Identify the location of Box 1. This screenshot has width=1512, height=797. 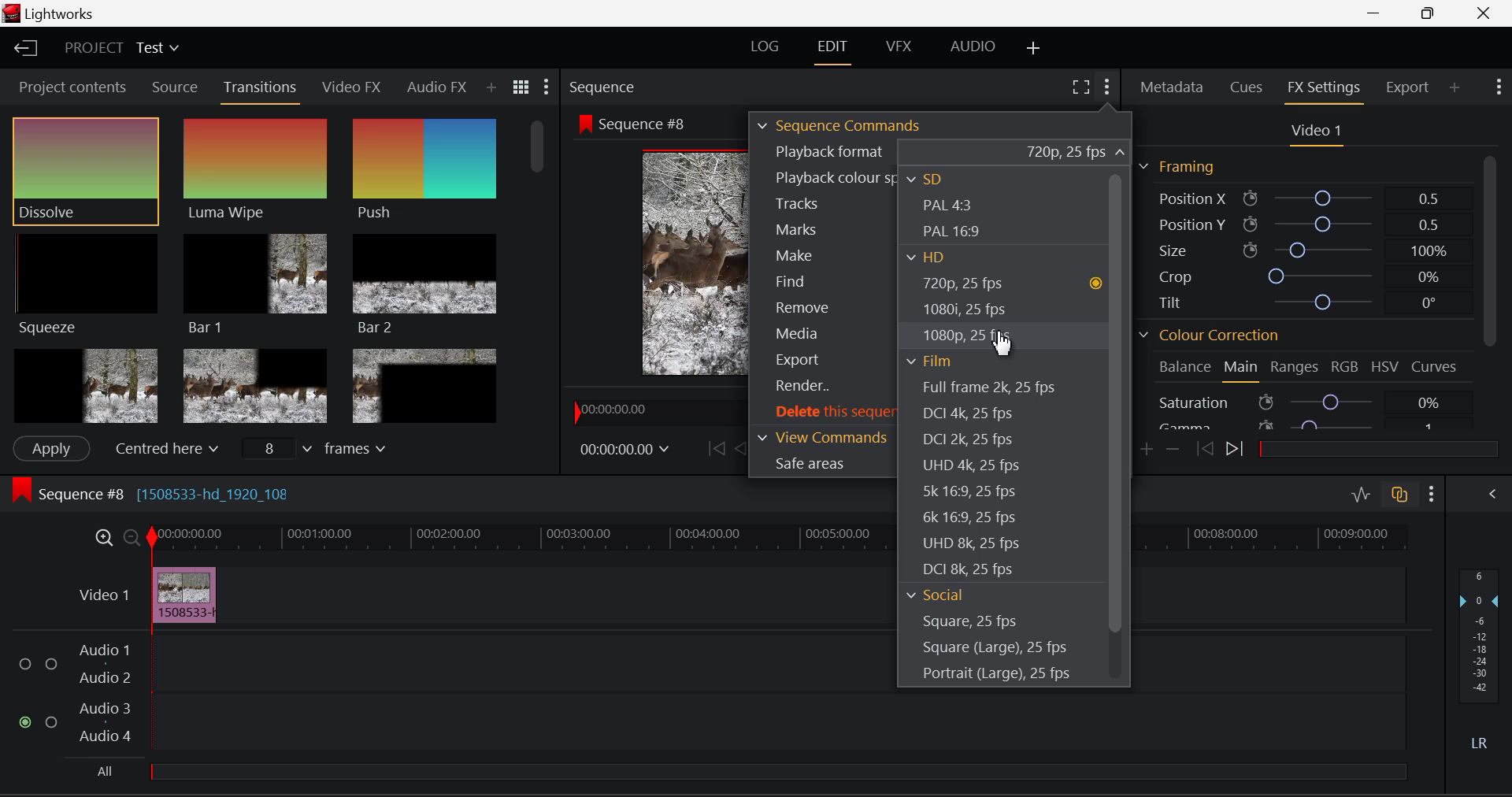
(84, 384).